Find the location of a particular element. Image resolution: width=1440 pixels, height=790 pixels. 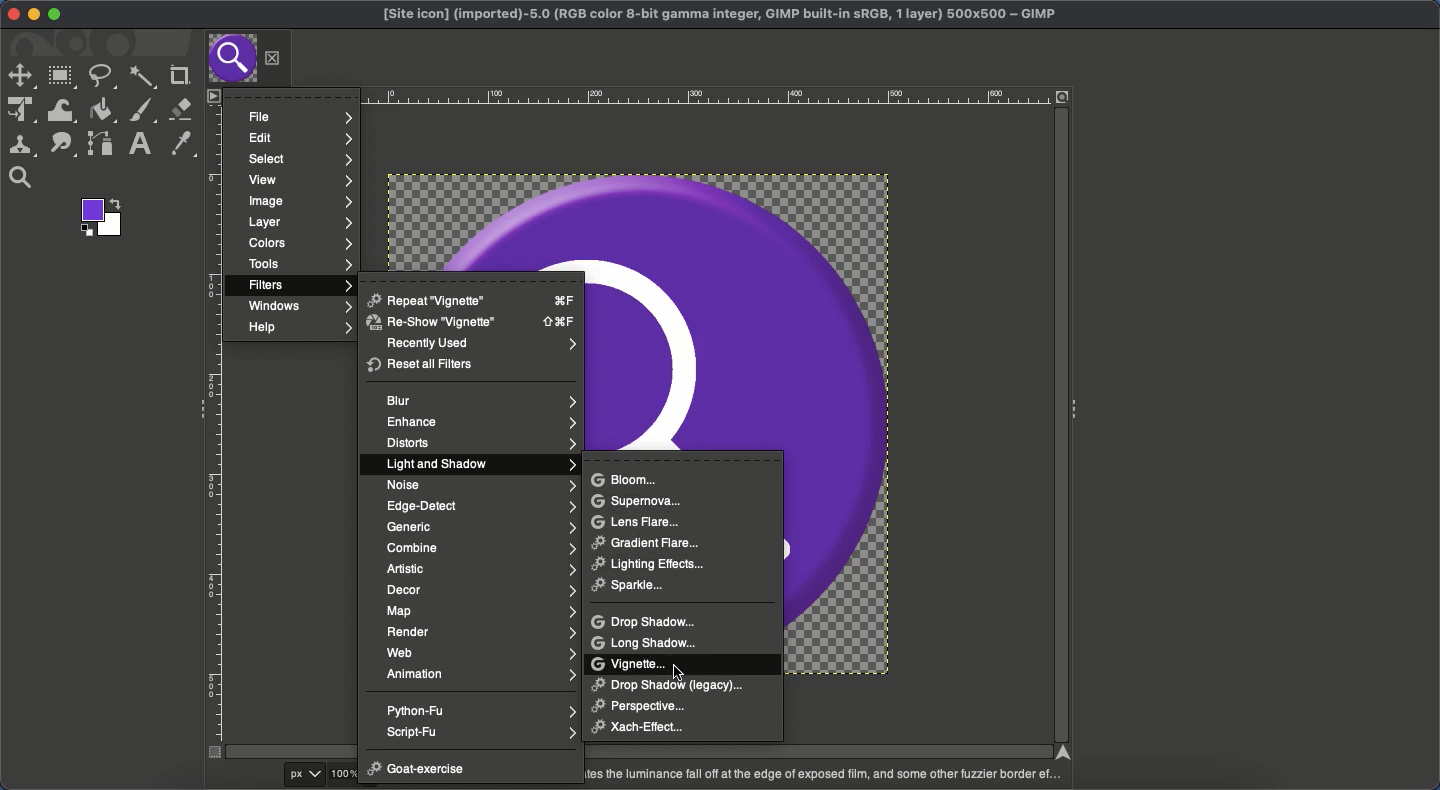

Python-fu is located at coordinates (482, 710).